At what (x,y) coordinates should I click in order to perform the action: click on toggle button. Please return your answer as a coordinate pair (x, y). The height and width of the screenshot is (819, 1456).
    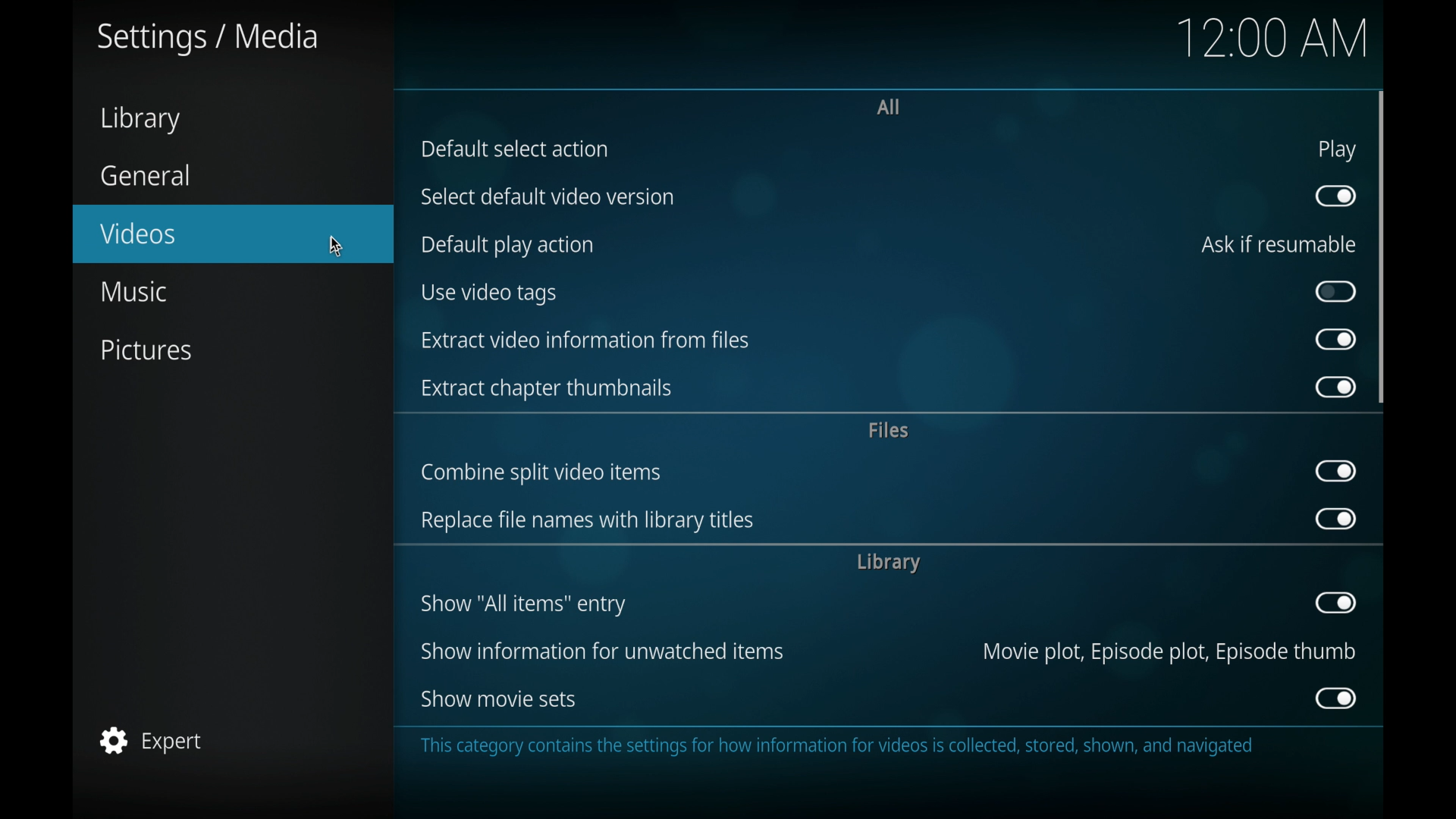
    Looking at the image, I should click on (1336, 196).